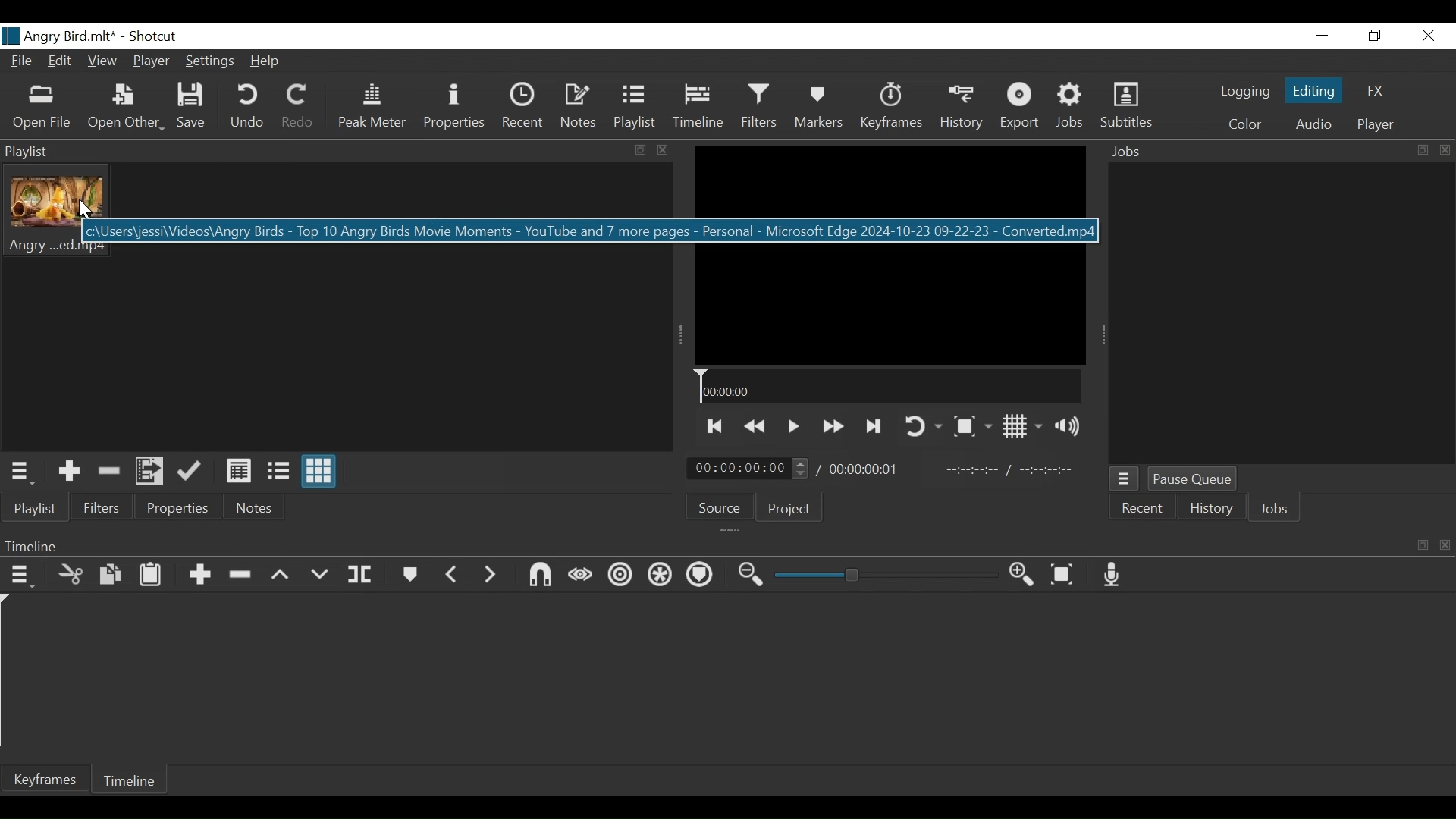 This screenshot has width=1456, height=819. Describe the element at coordinates (581, 576) in the screenshot. I see `Scrub while dragging` at that location.